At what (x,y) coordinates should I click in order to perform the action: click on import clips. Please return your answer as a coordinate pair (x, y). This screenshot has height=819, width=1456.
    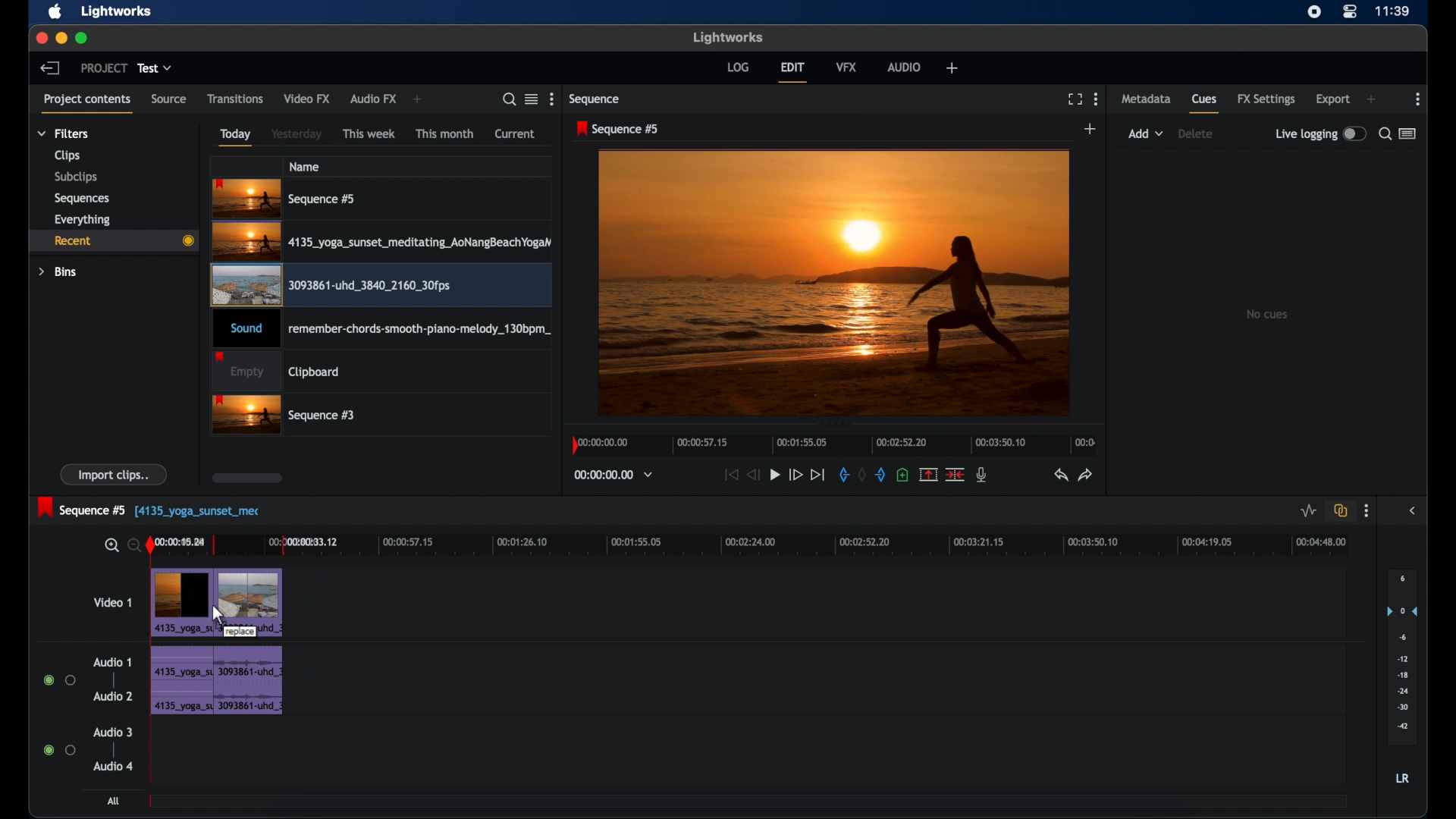
    Looking at the image, I should click on (114, 474).